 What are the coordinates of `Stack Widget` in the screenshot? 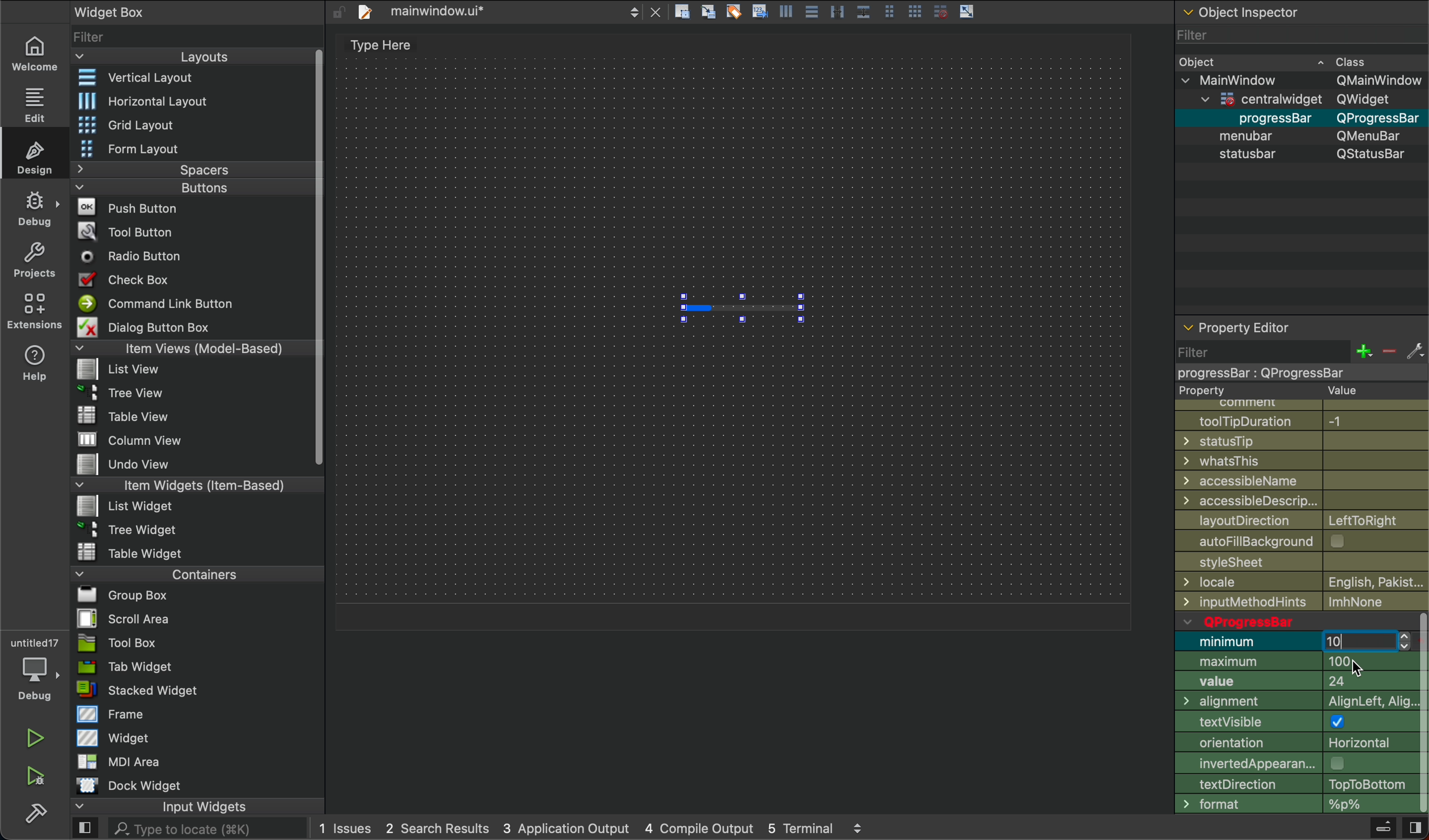 It's located at (177, 690).